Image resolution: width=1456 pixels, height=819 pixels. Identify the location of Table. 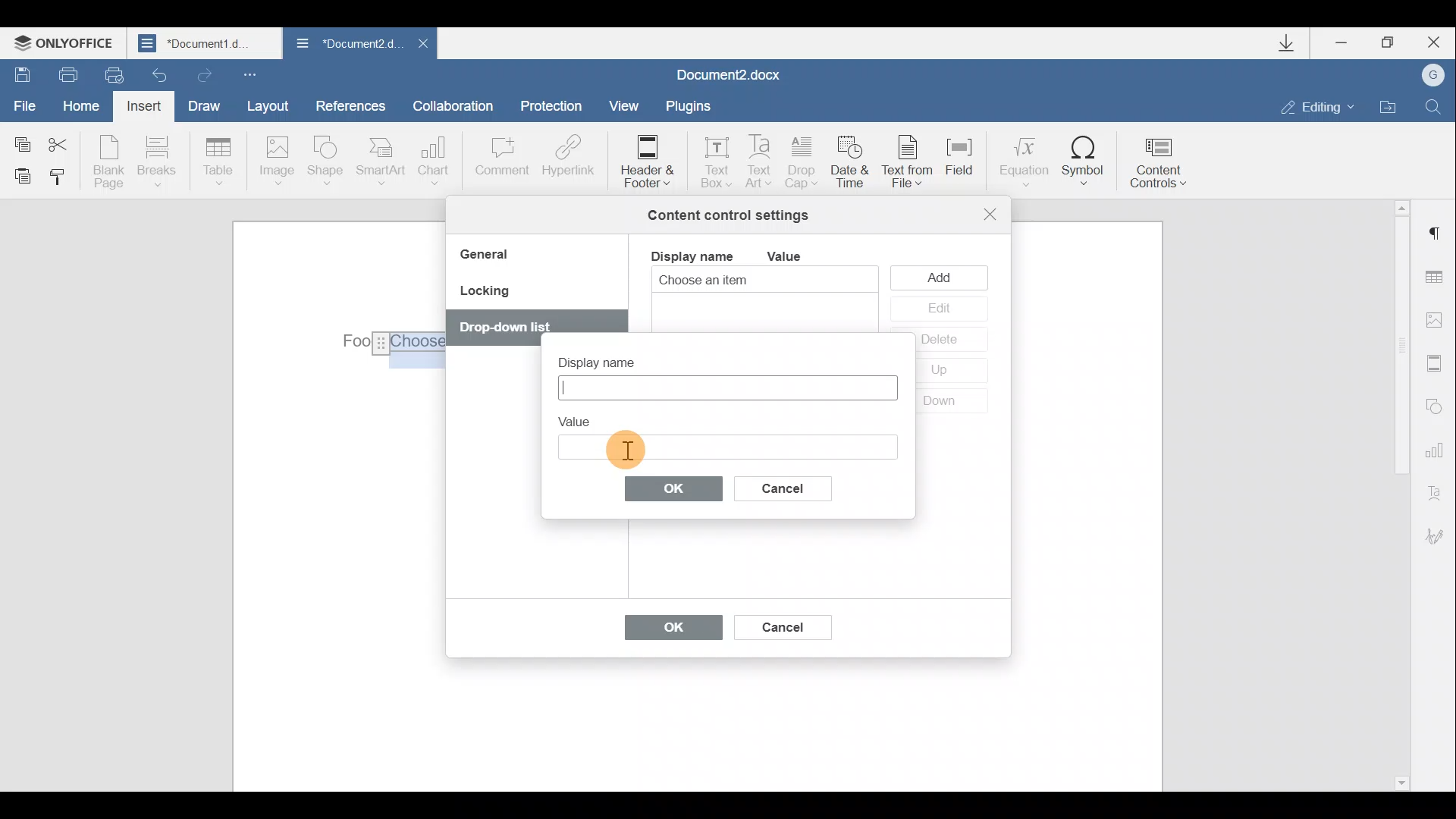
(219, 163).